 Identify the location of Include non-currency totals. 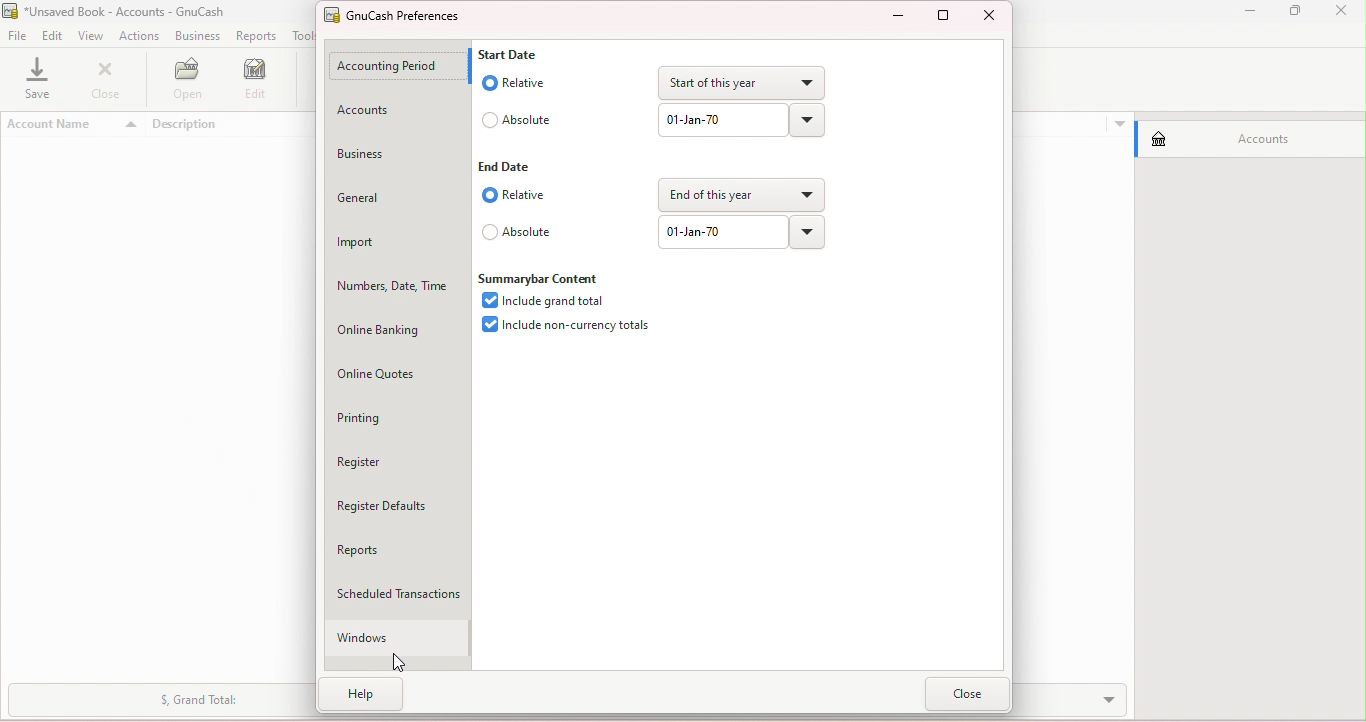
(566, 329).